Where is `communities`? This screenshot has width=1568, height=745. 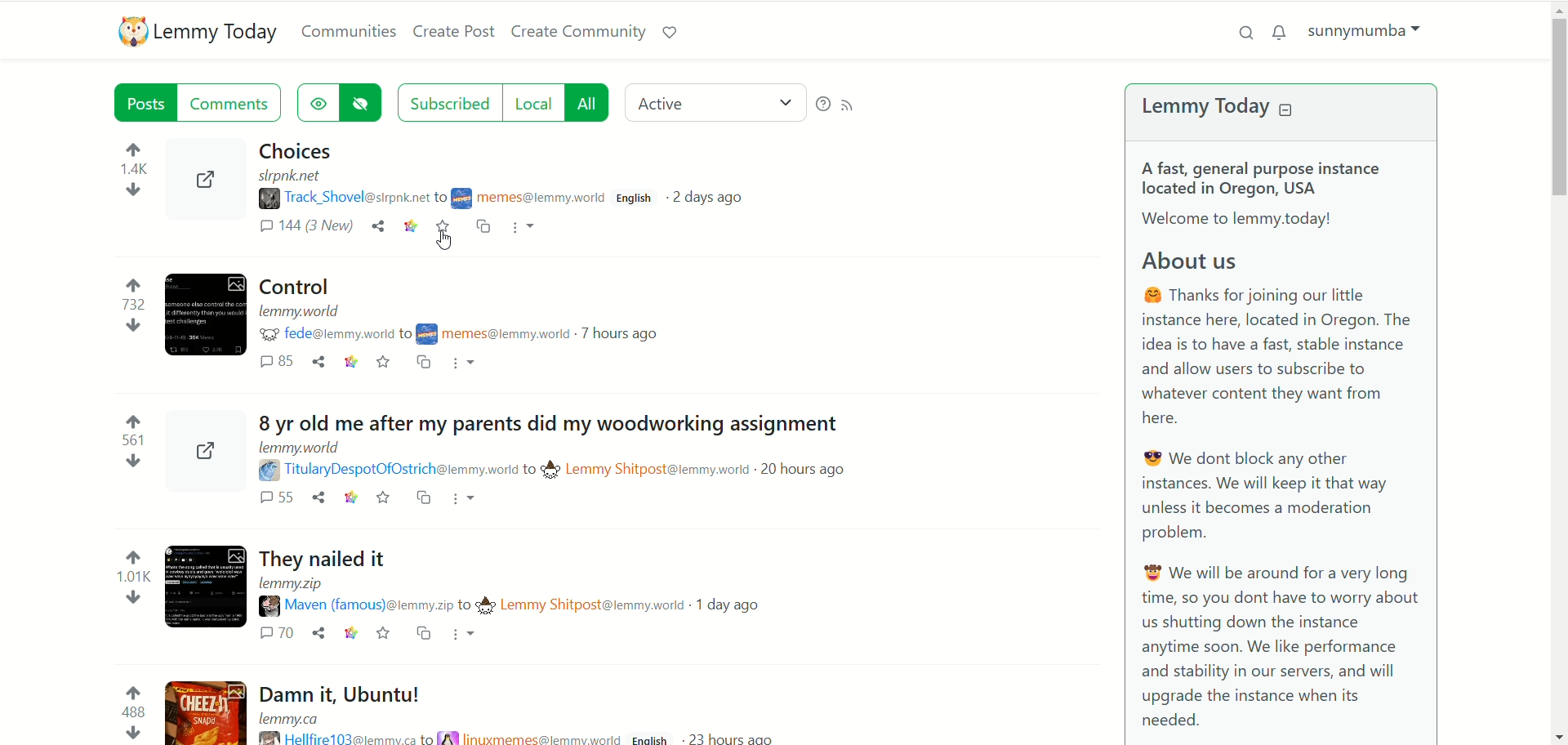
communities is located at coordinates (350, 32).